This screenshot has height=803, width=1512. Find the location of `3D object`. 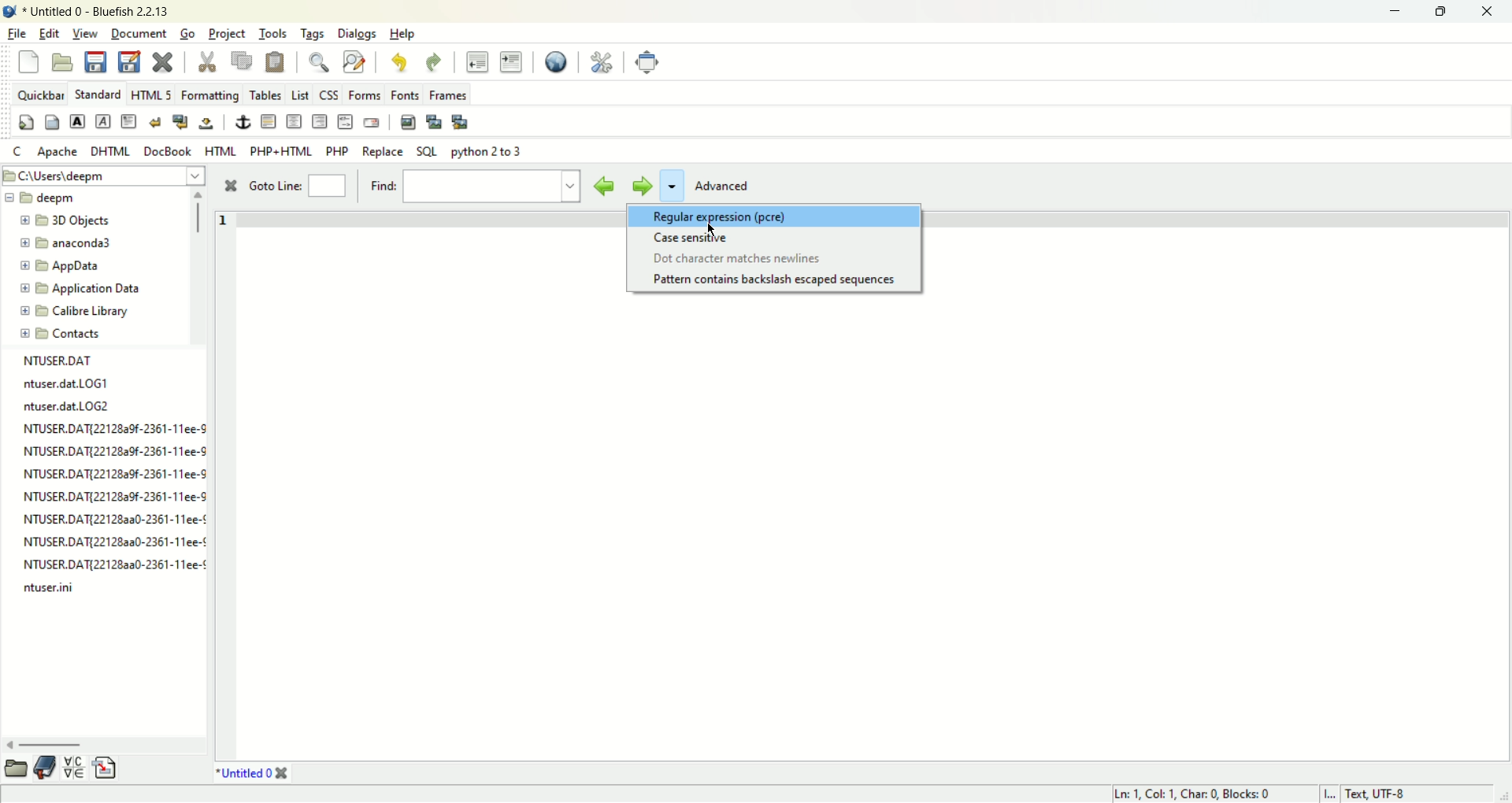

3D object is located at coordinates (71, 221).